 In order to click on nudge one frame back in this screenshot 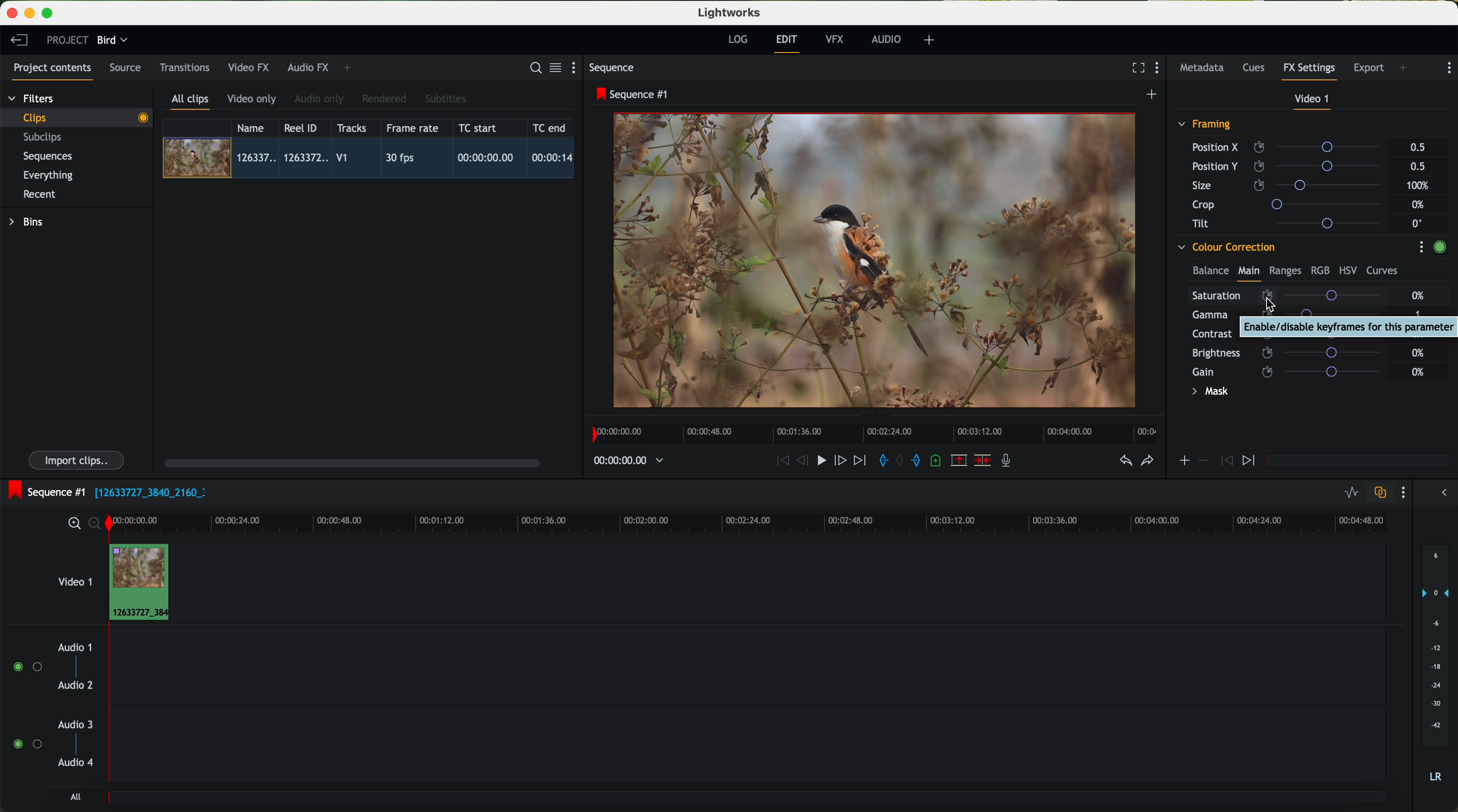, I will do `click(804, 462)`.